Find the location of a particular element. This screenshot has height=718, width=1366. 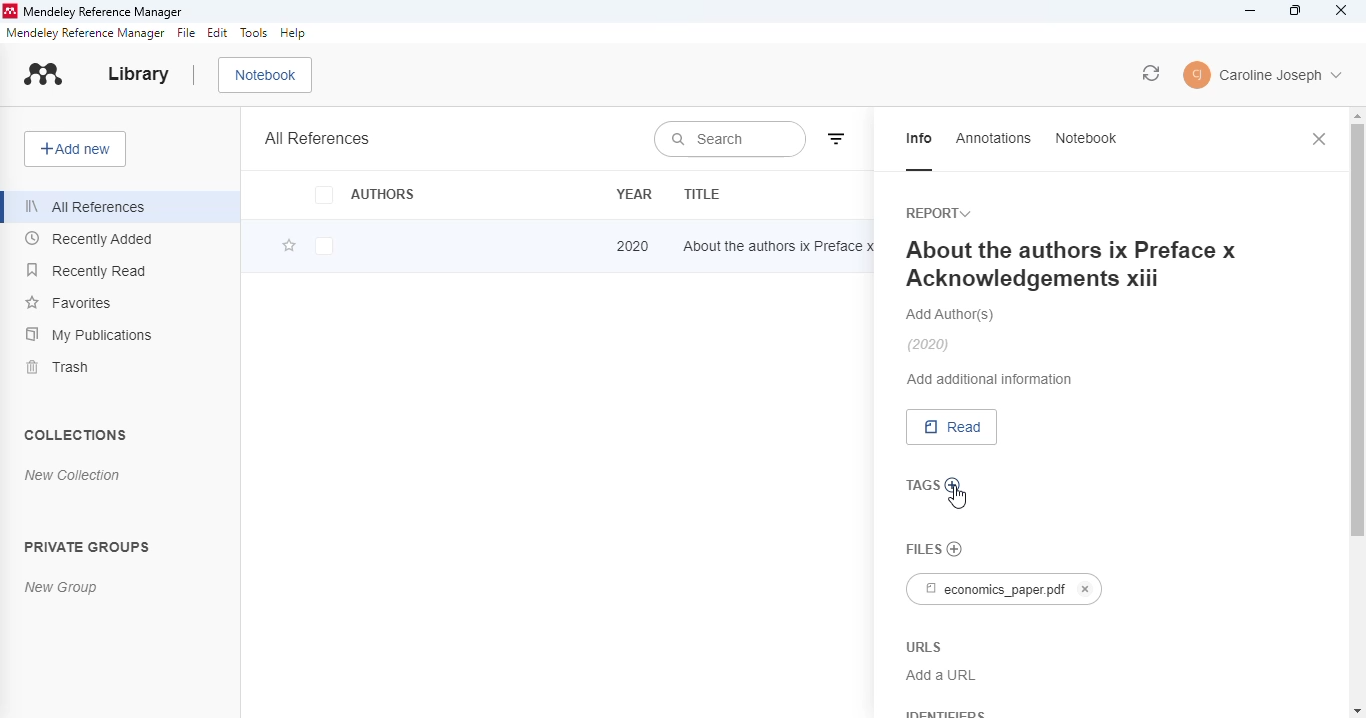

report is located at coordinates (937, 214).